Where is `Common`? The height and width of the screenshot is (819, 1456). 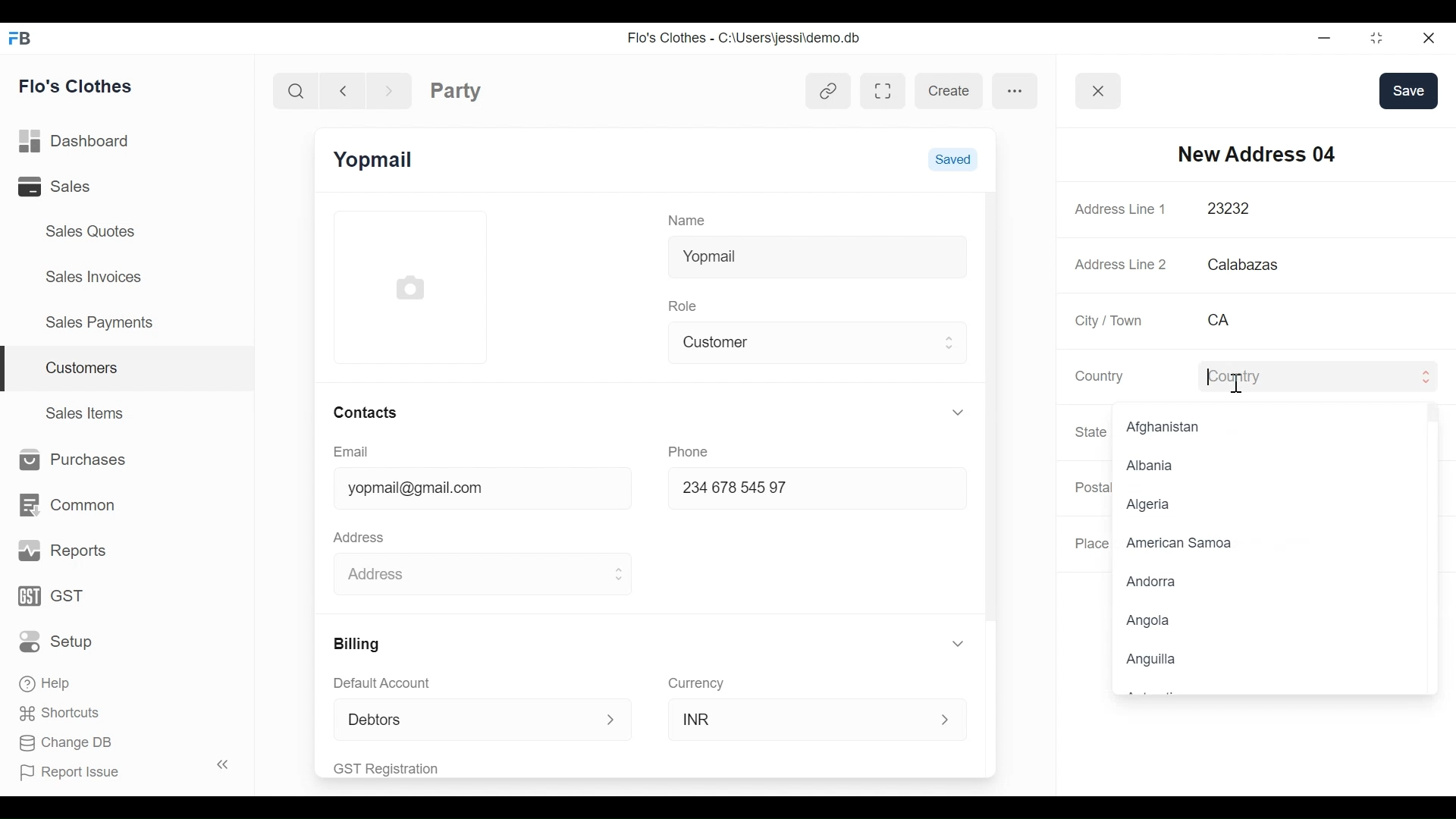 Common is located at coordinates (65, 505).